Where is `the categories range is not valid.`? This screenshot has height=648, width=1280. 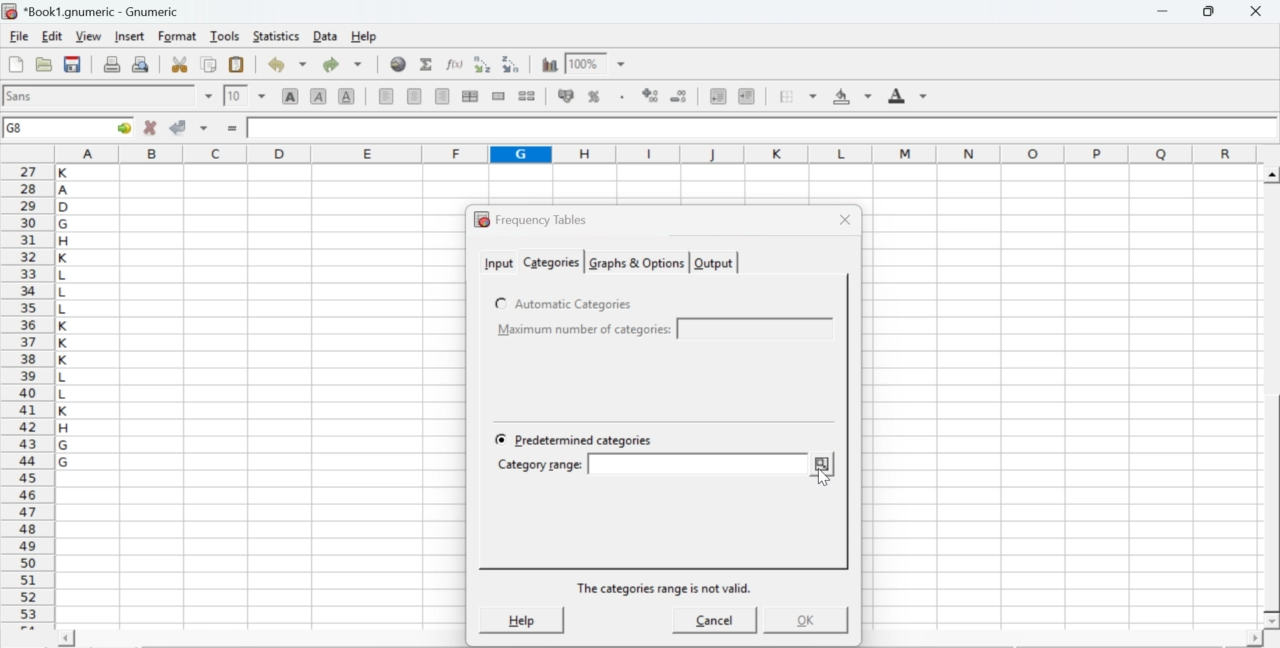 the categories range is not valid. is located at coordinates (664, 587).